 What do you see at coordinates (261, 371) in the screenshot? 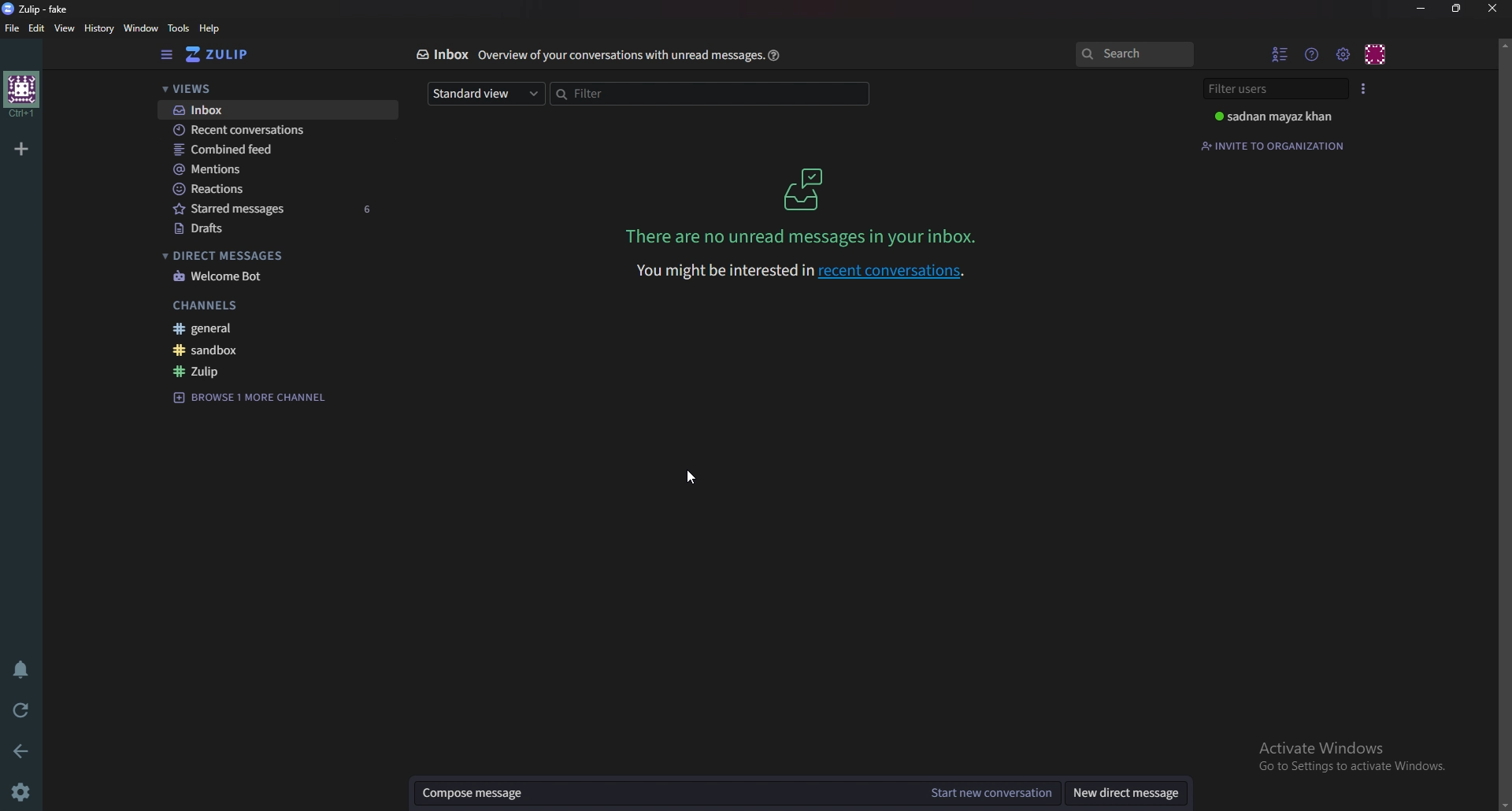
I see `zulip` at bounding box center [261, 371].